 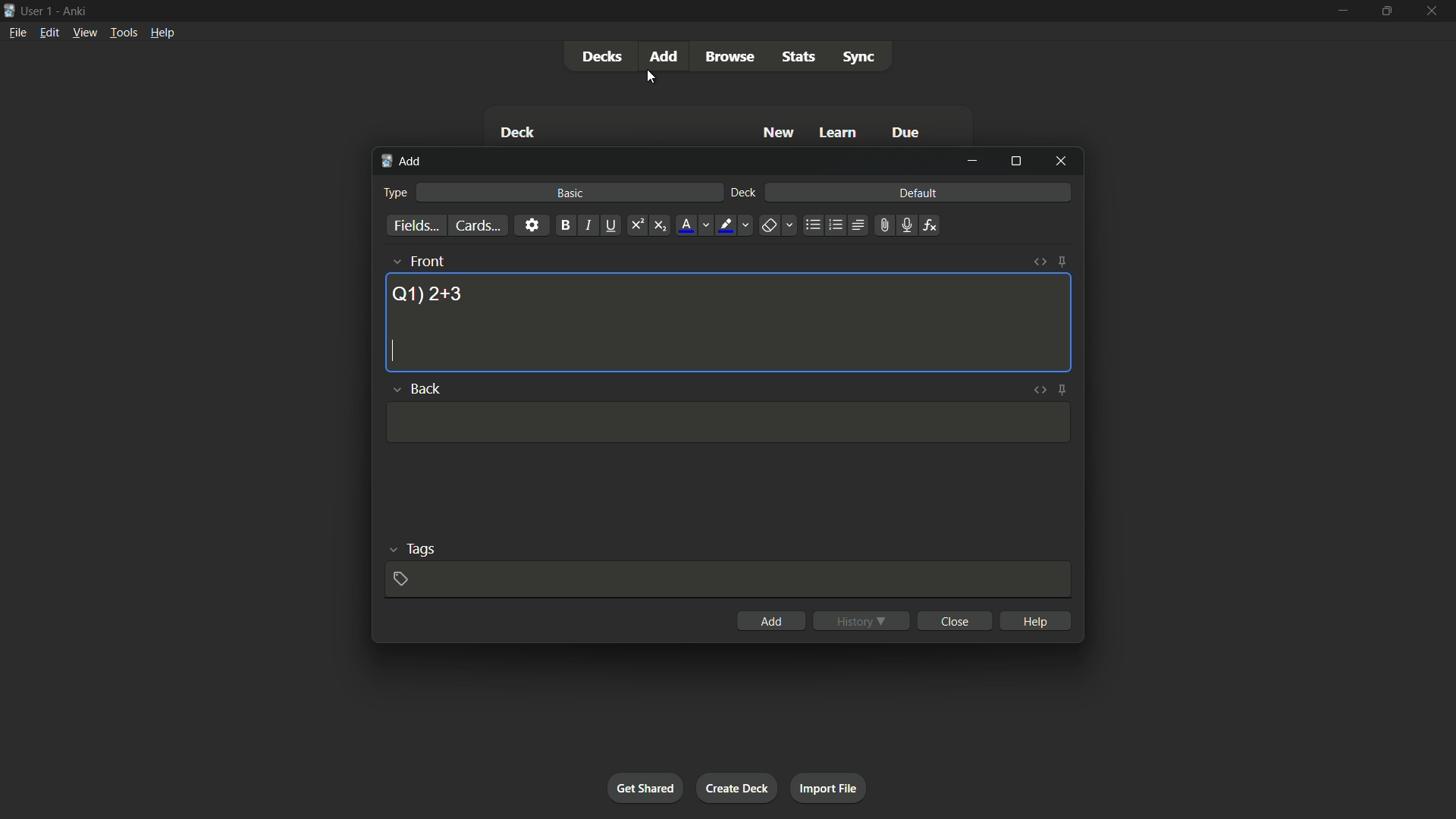 I want to click on unordered list, so click(x=812, y=225).